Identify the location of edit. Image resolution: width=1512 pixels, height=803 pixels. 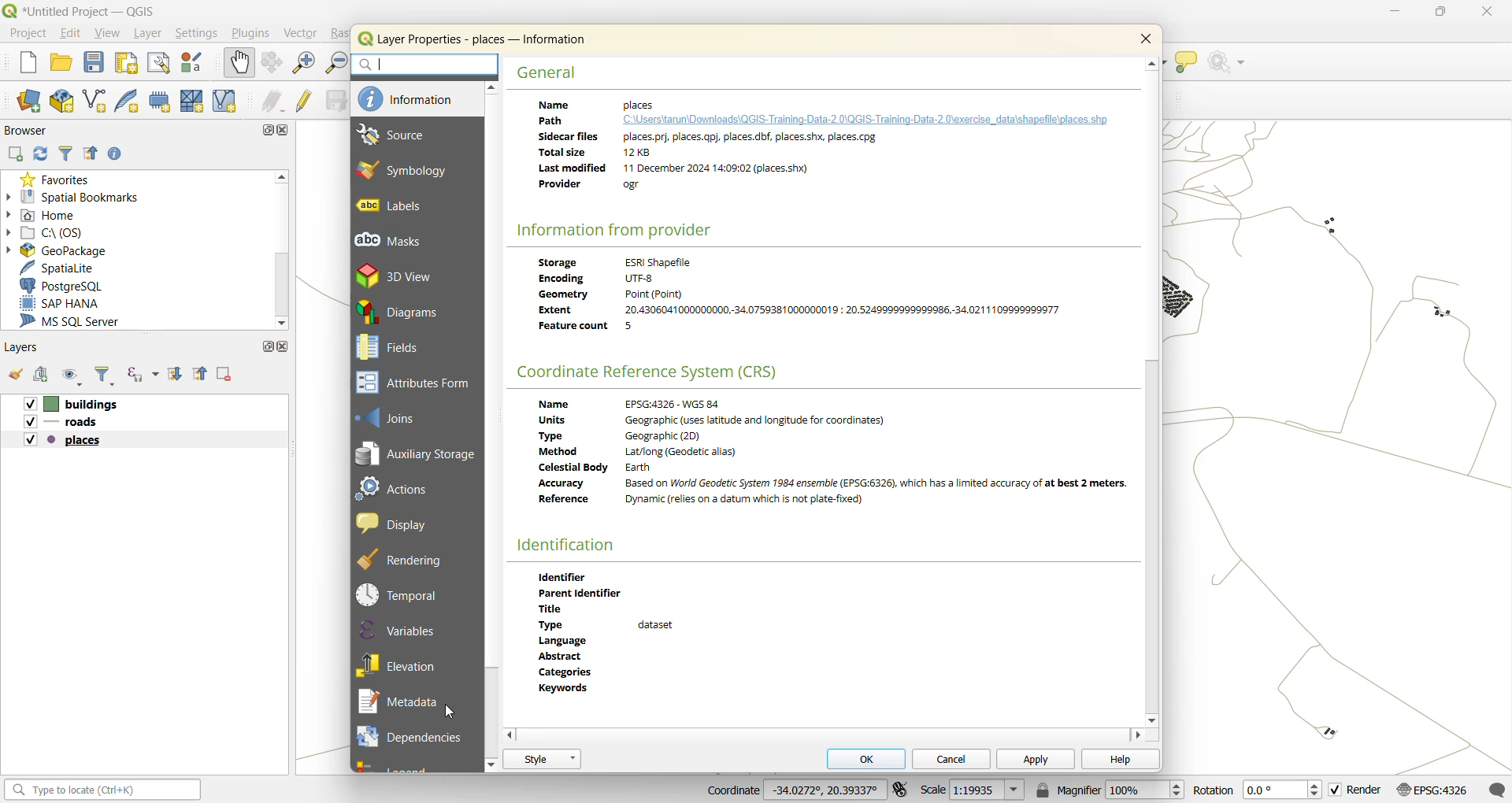
(76, 33).